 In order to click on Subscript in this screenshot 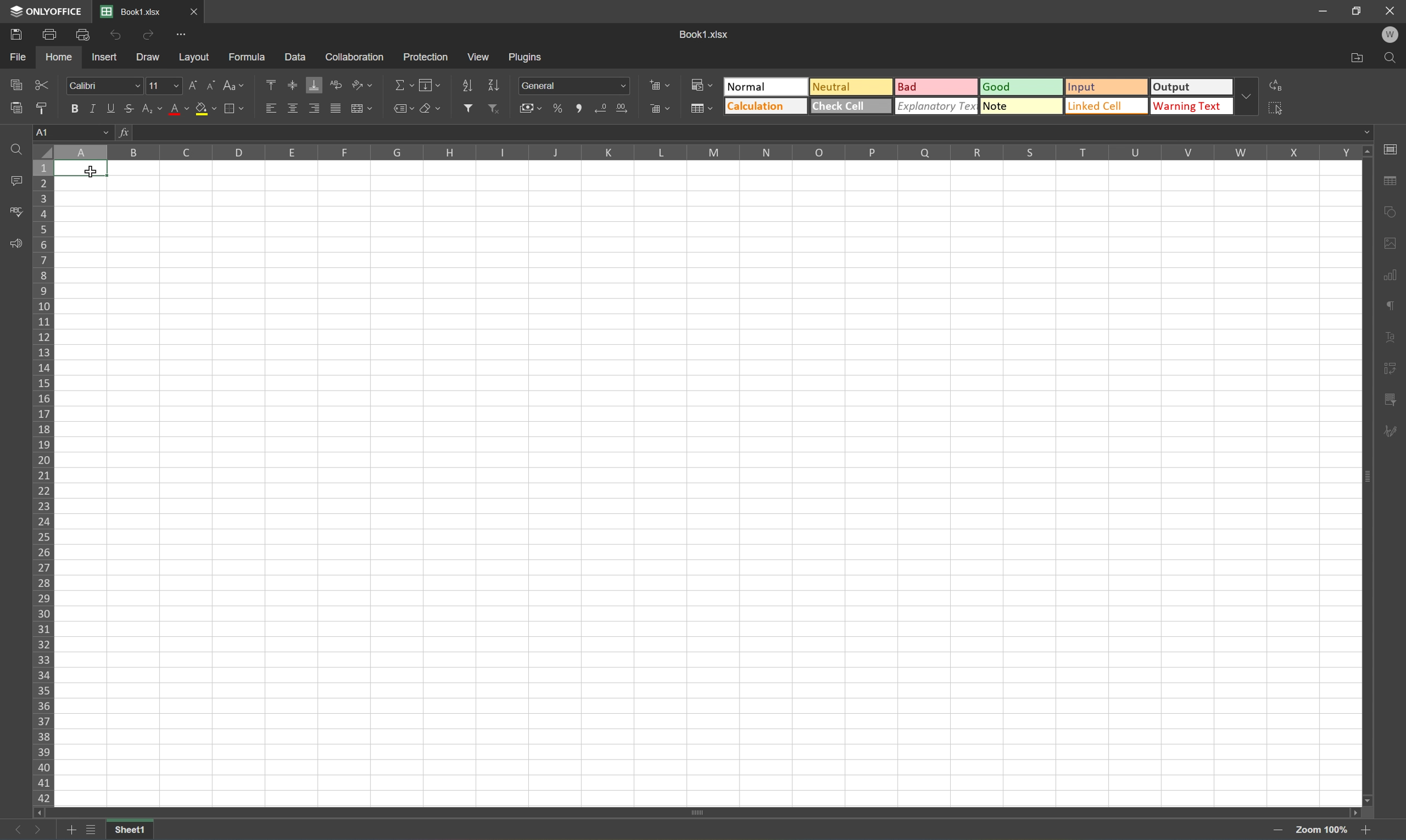, I will do `click(153, 109)`.